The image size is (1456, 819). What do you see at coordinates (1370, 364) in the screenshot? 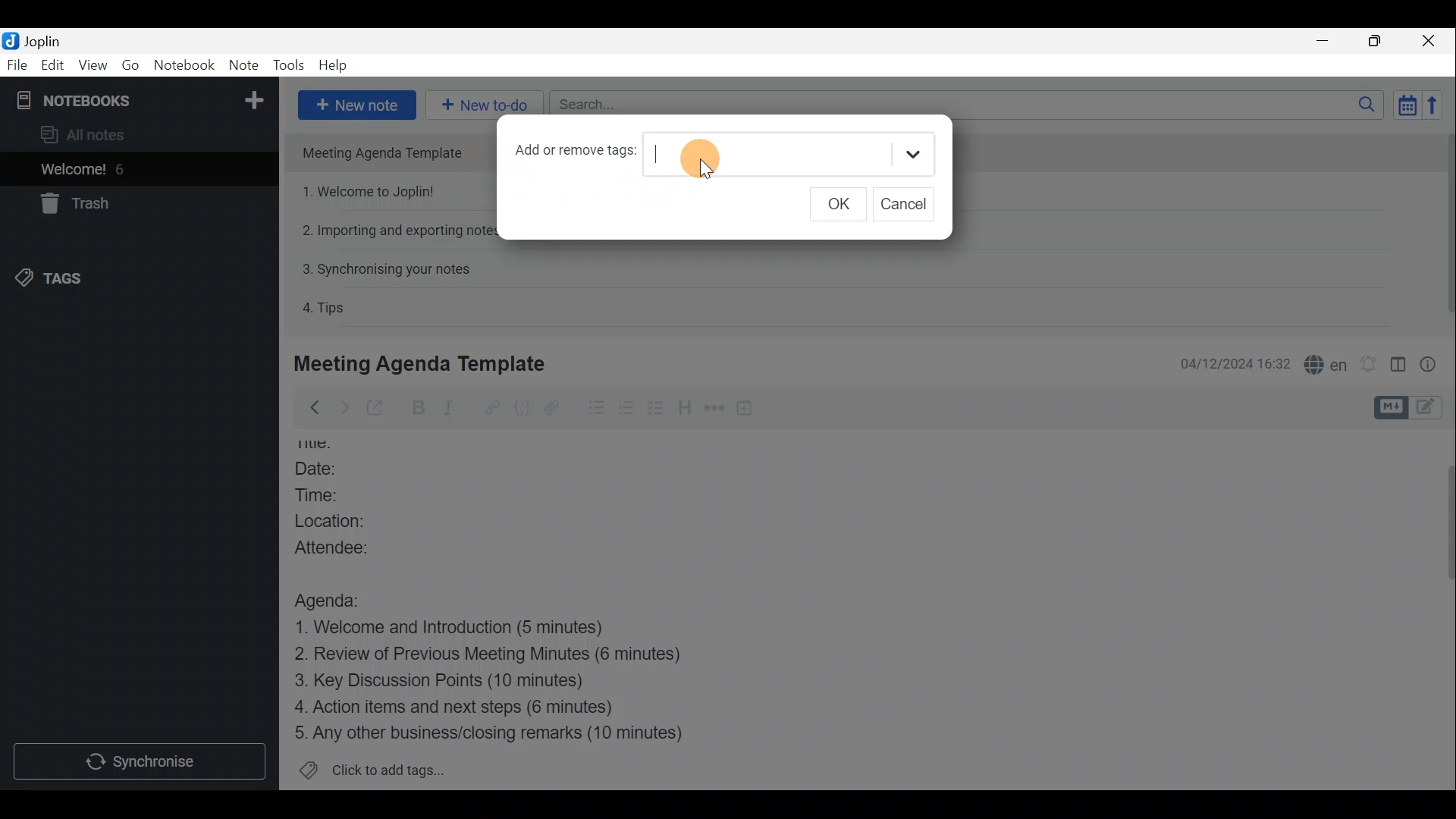
I see `Set alarm` at bounding box center [1370, 364].